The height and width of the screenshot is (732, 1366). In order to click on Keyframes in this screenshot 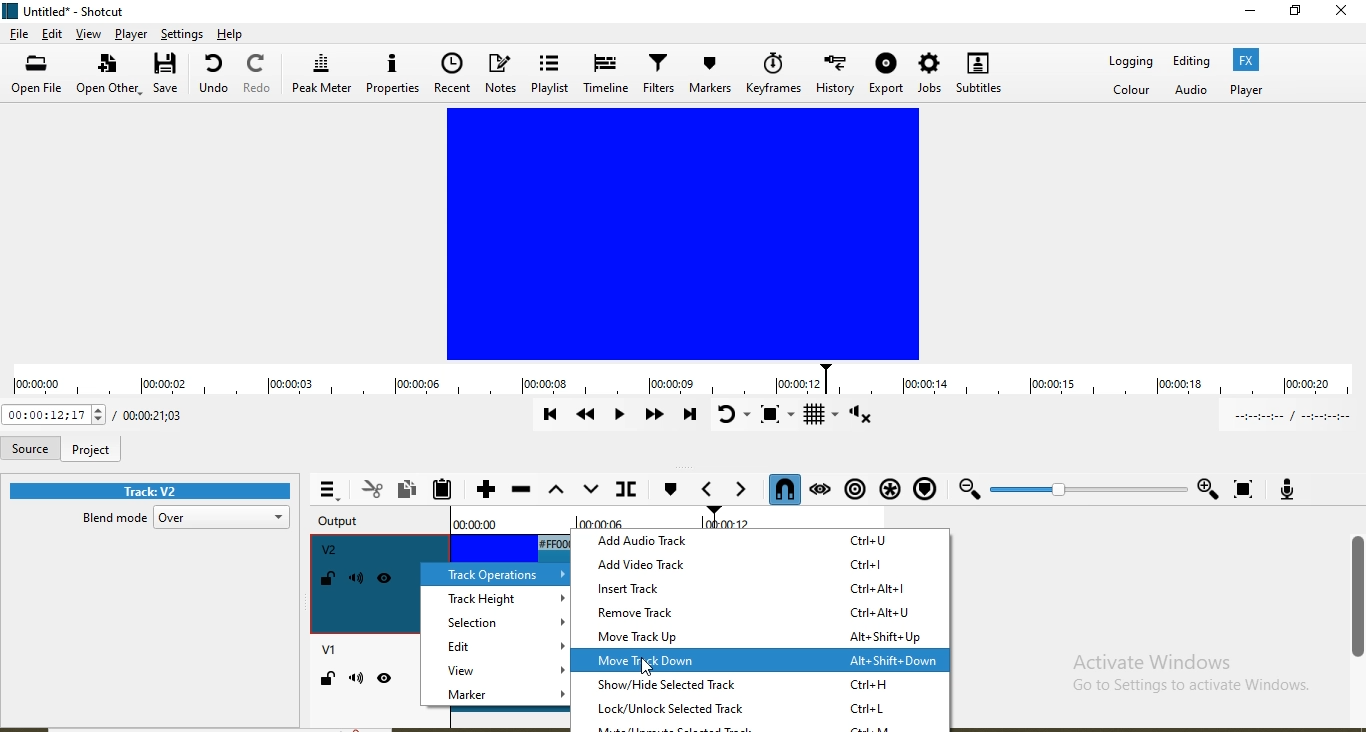, I will do `click(773, 73)`.